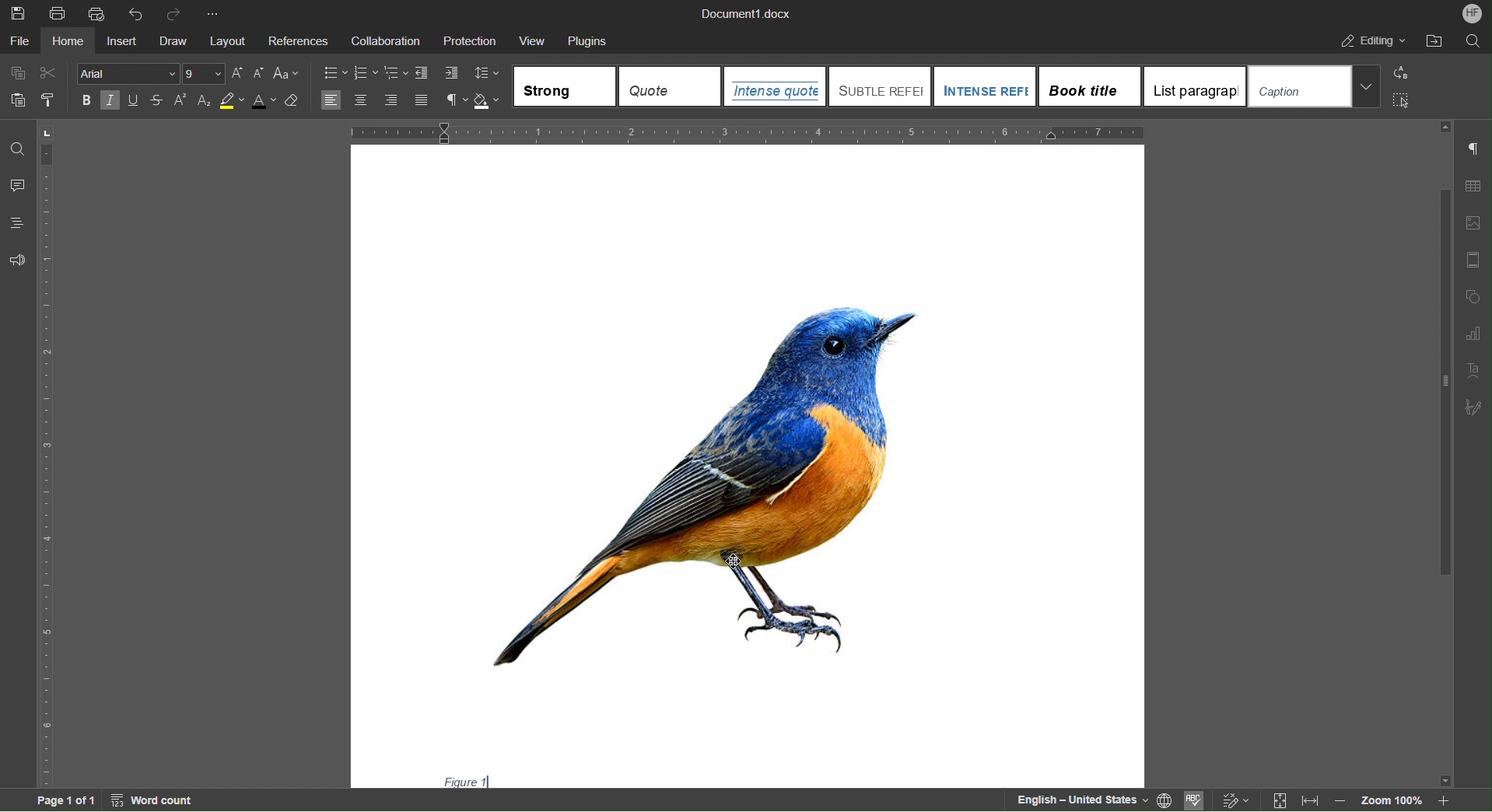 The width and height of the screenshot is (1492, 812). What do you see at coordinates (17, 224) in the screenshot?
I see `Headings` at bounding box center [17, 224].